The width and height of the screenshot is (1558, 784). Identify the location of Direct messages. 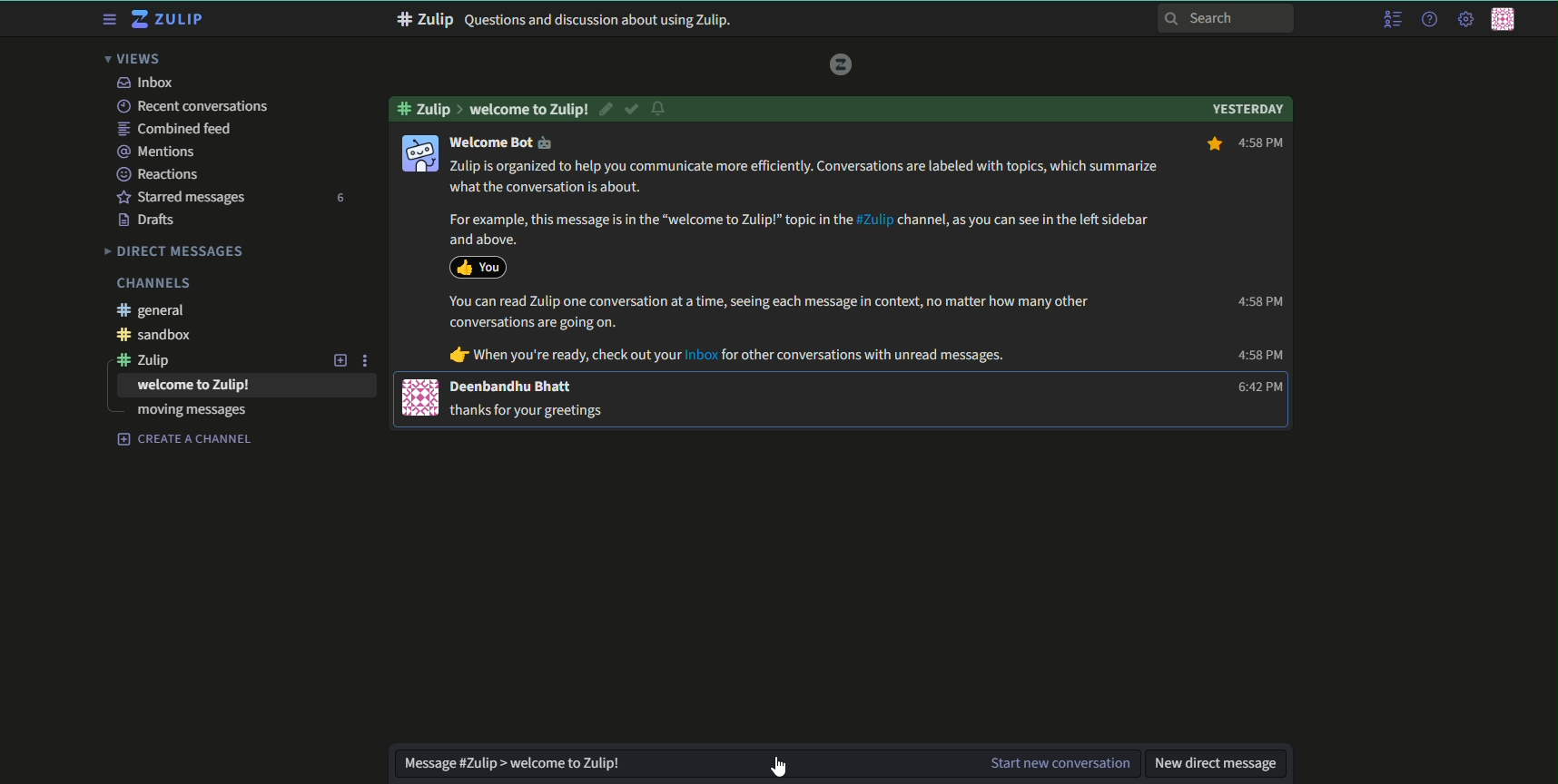
(175, 250).